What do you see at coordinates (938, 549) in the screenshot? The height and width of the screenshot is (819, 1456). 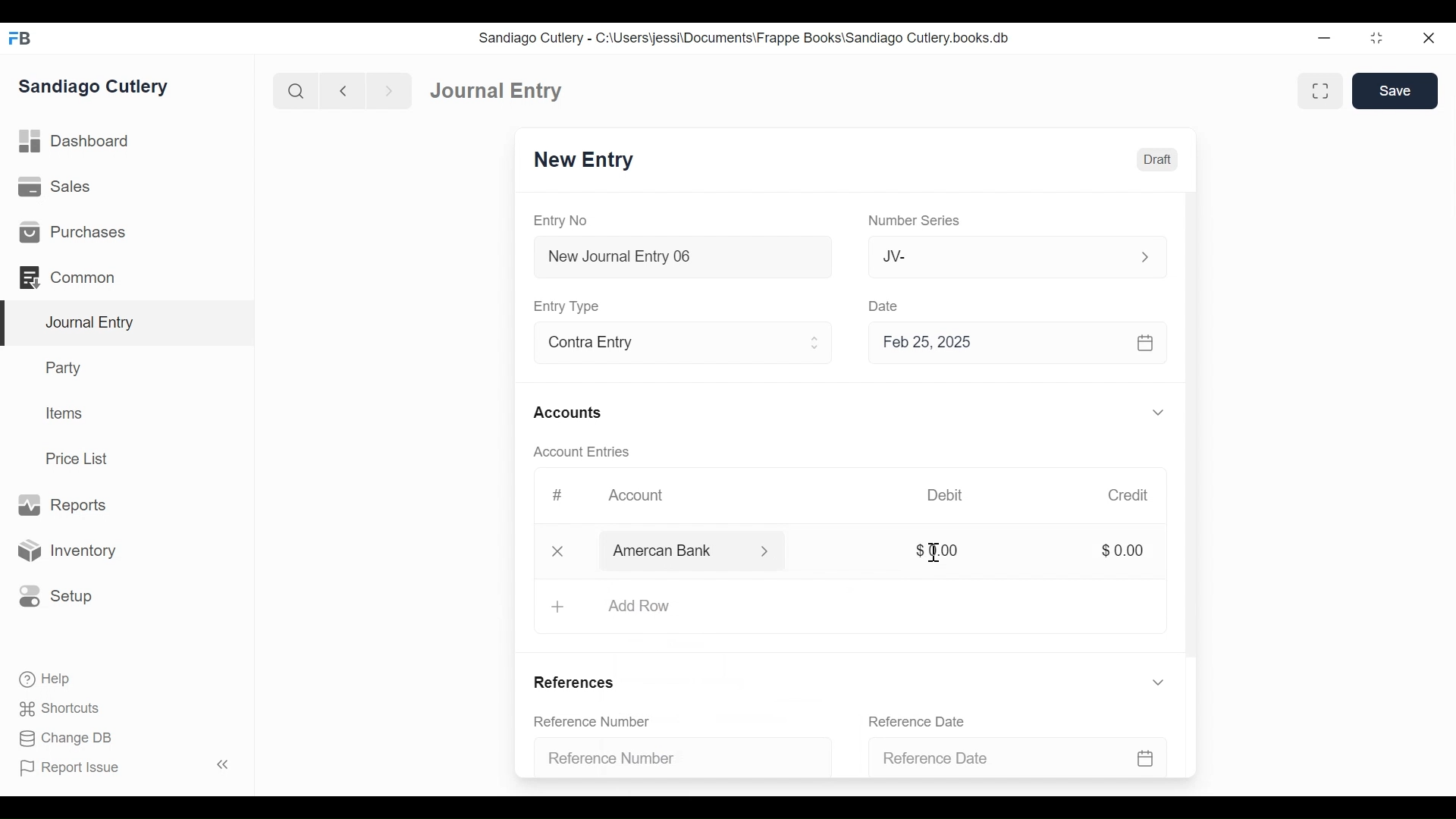 I see `$0.00` at bounding box center [938, 549].